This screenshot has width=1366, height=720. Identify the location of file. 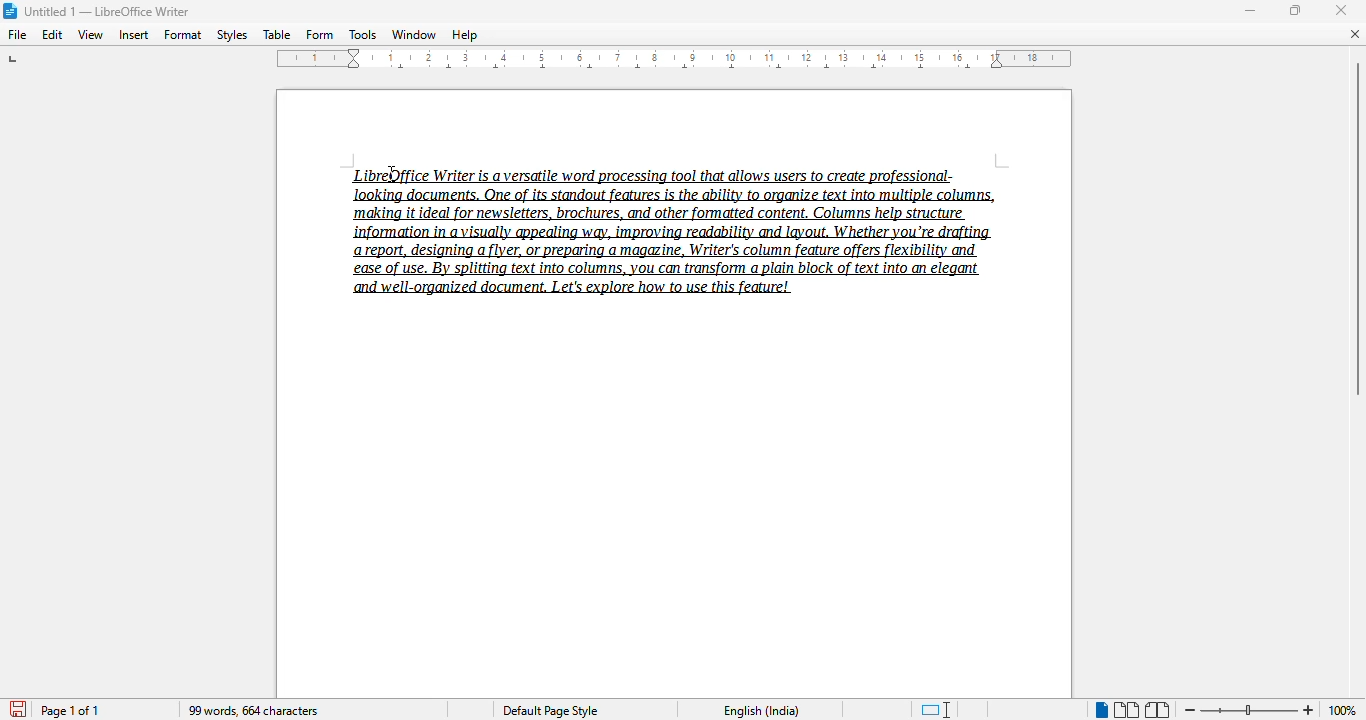
(16, 34).